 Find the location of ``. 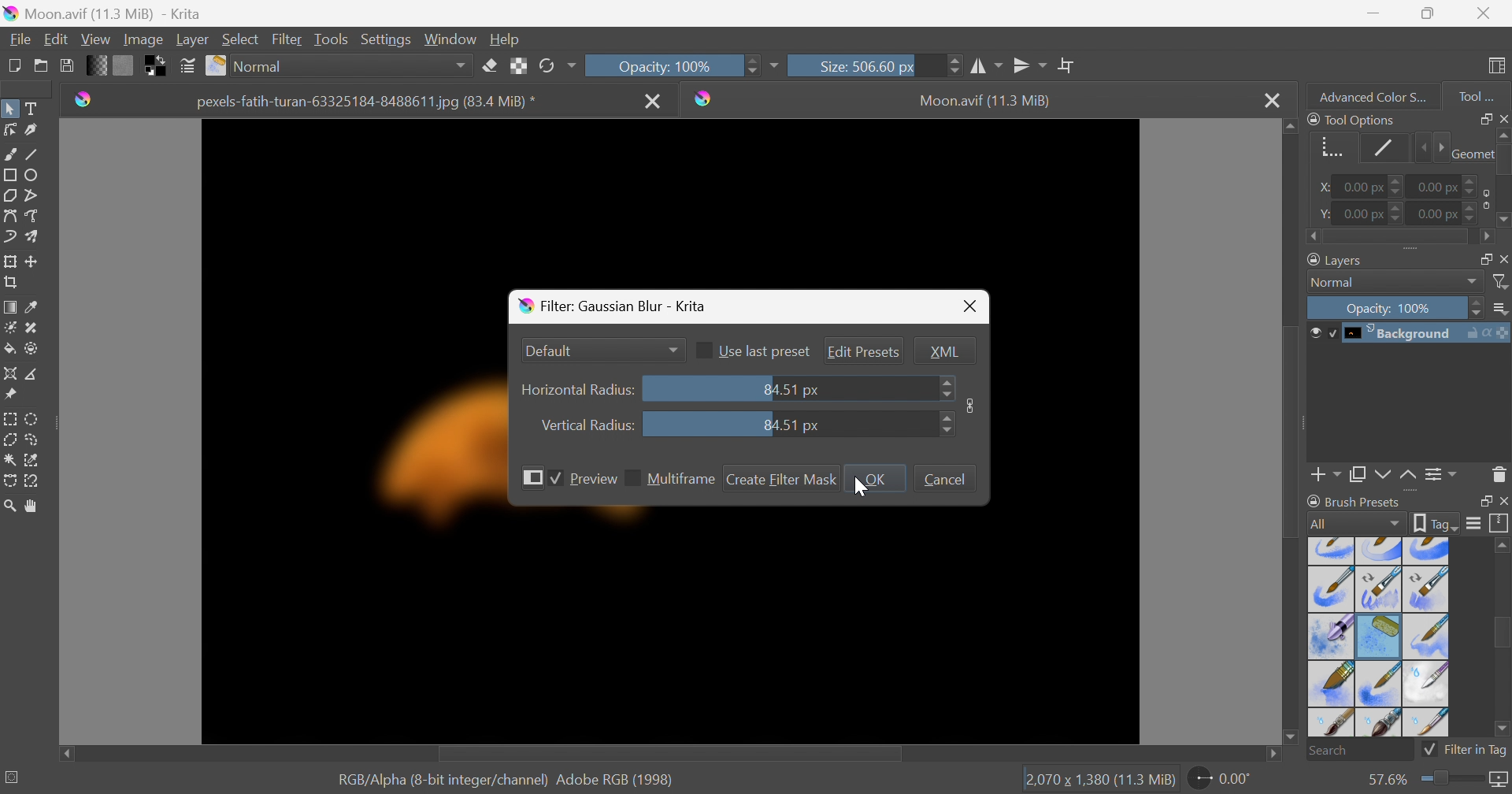

 is located at coordinates (13, 65).